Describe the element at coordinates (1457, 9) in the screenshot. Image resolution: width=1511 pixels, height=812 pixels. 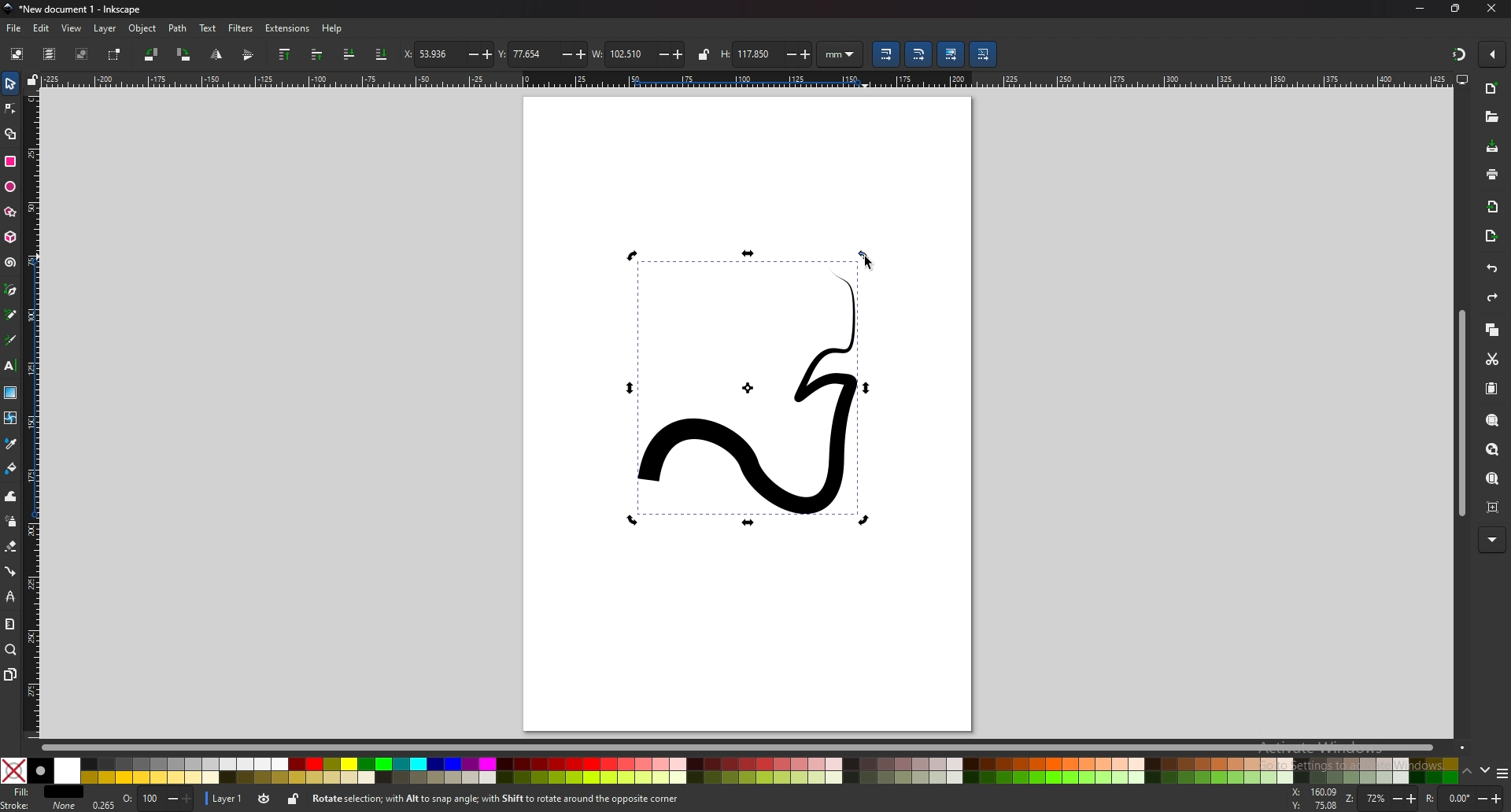
I see `resize` at that location.